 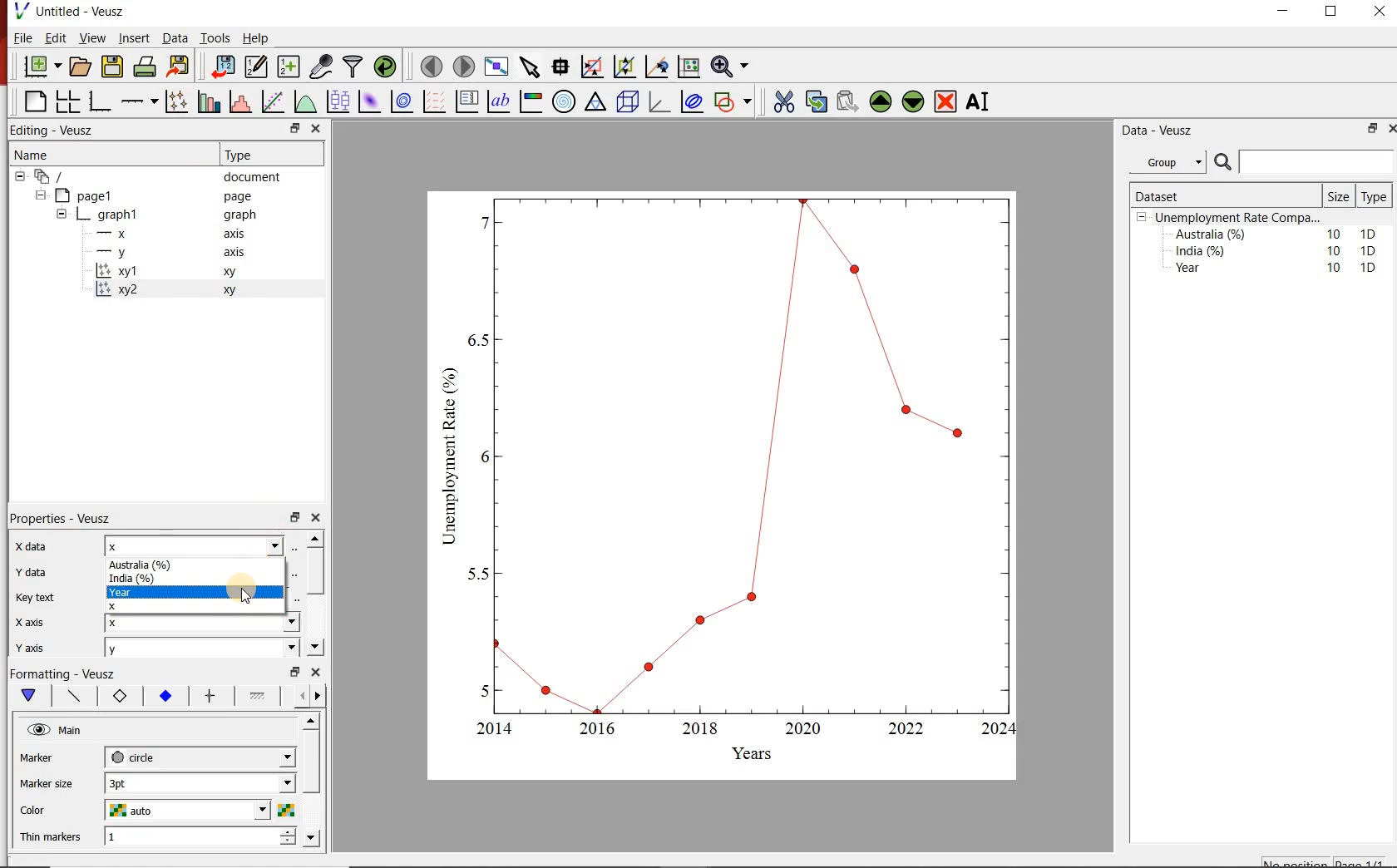 What do you see at coordinates (46, 811) in the screenshot?
I see `color` at bounding box center [46, 811].